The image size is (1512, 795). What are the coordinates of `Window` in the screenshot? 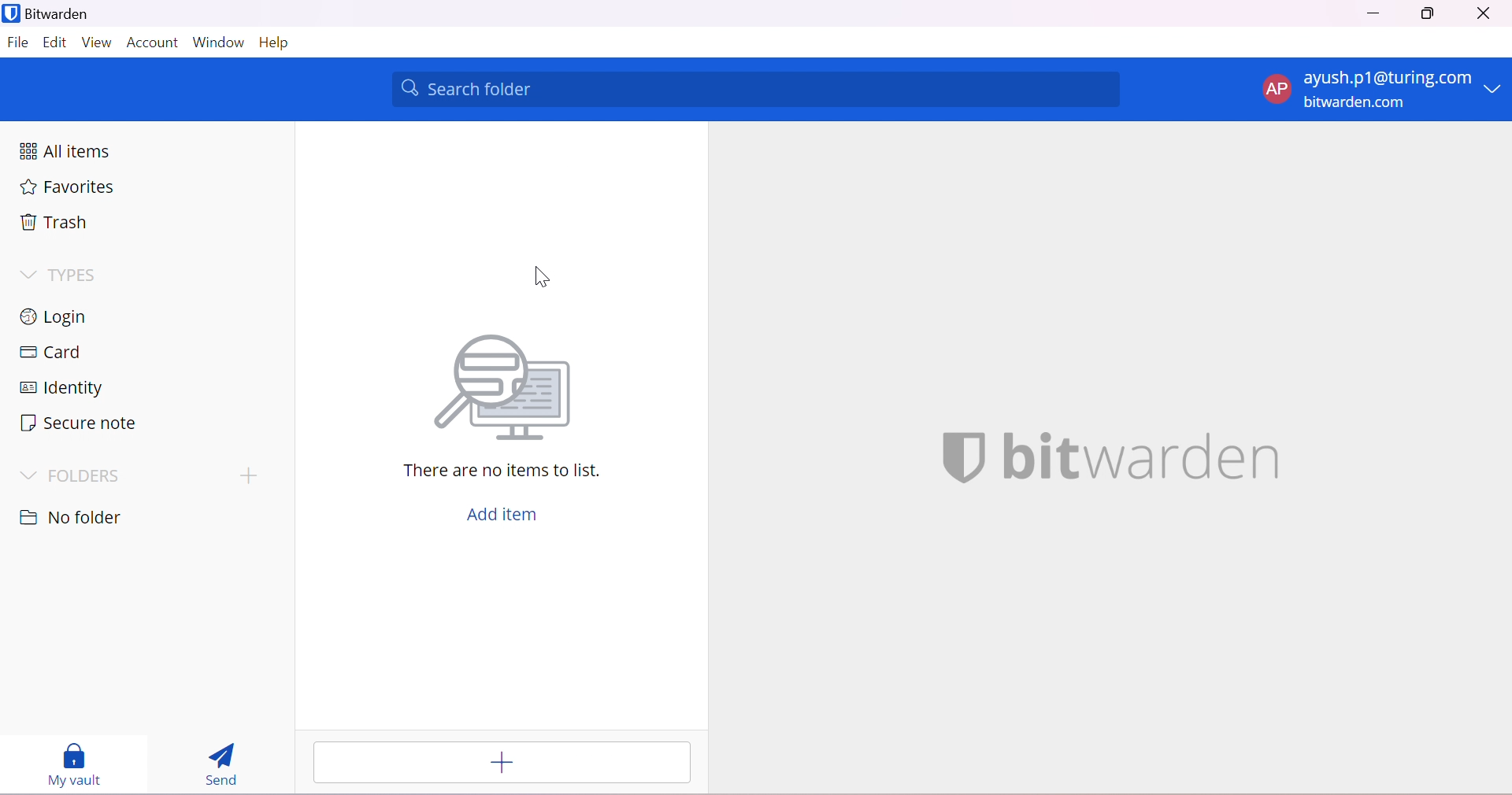 It's located at (219, 41).